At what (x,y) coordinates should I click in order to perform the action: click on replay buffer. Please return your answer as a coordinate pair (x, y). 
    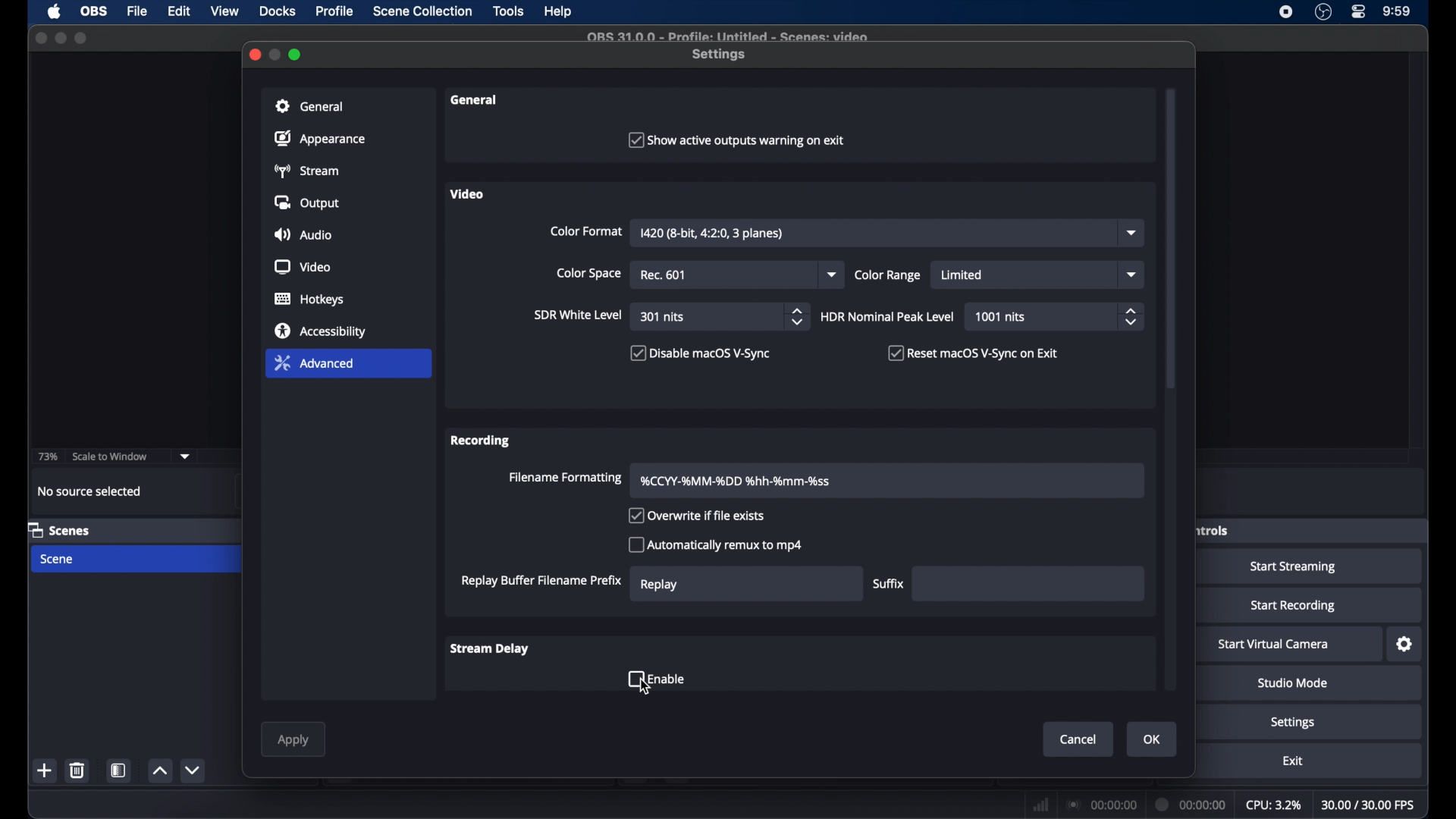
    Looking at the image, I should click on (542, 581).